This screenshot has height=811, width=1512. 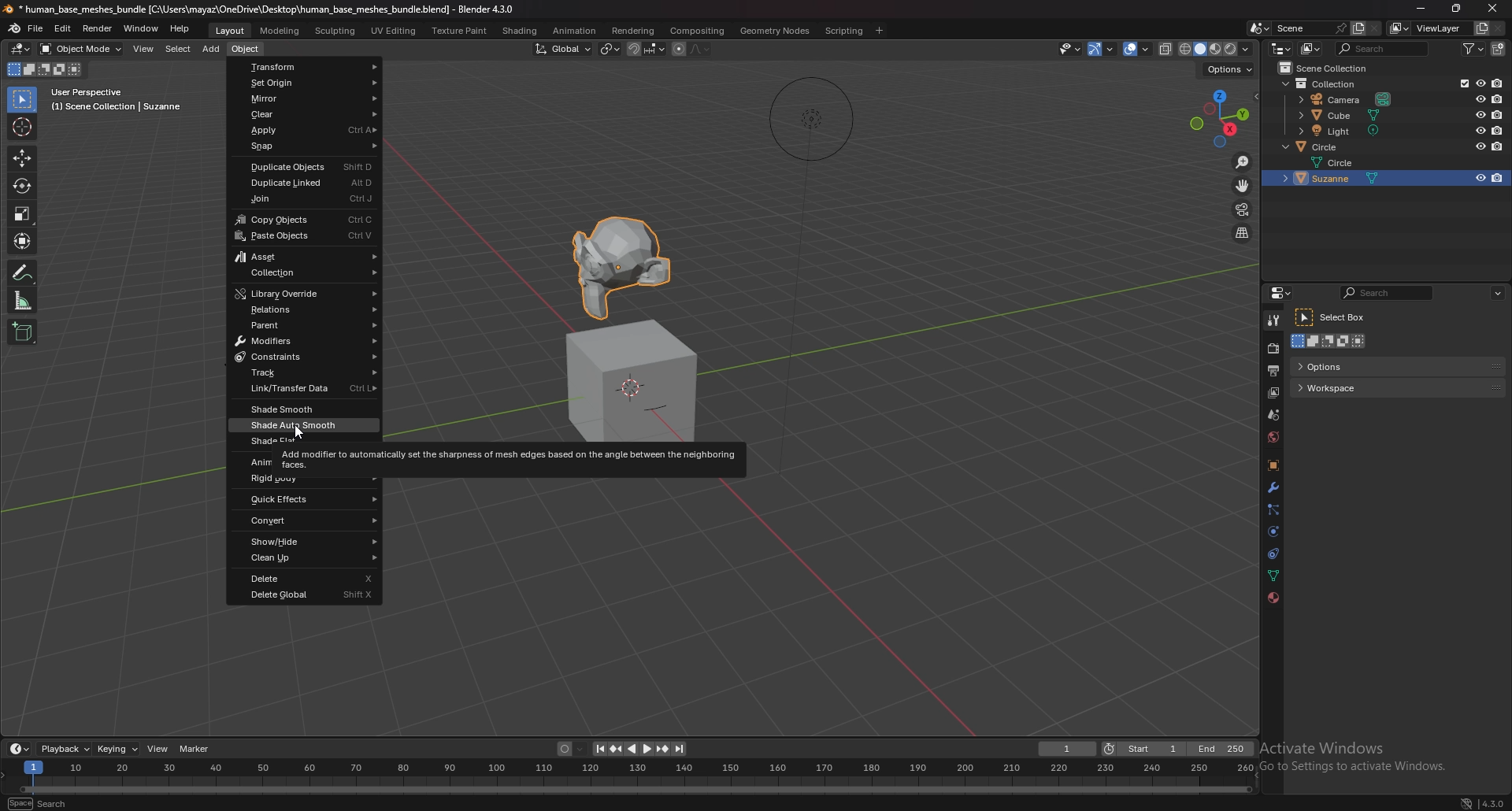 What do you see at coordinates (1461, 83) in the screenshot?
I see `exclude from viewlayer` at bounding box center [1461, 83].